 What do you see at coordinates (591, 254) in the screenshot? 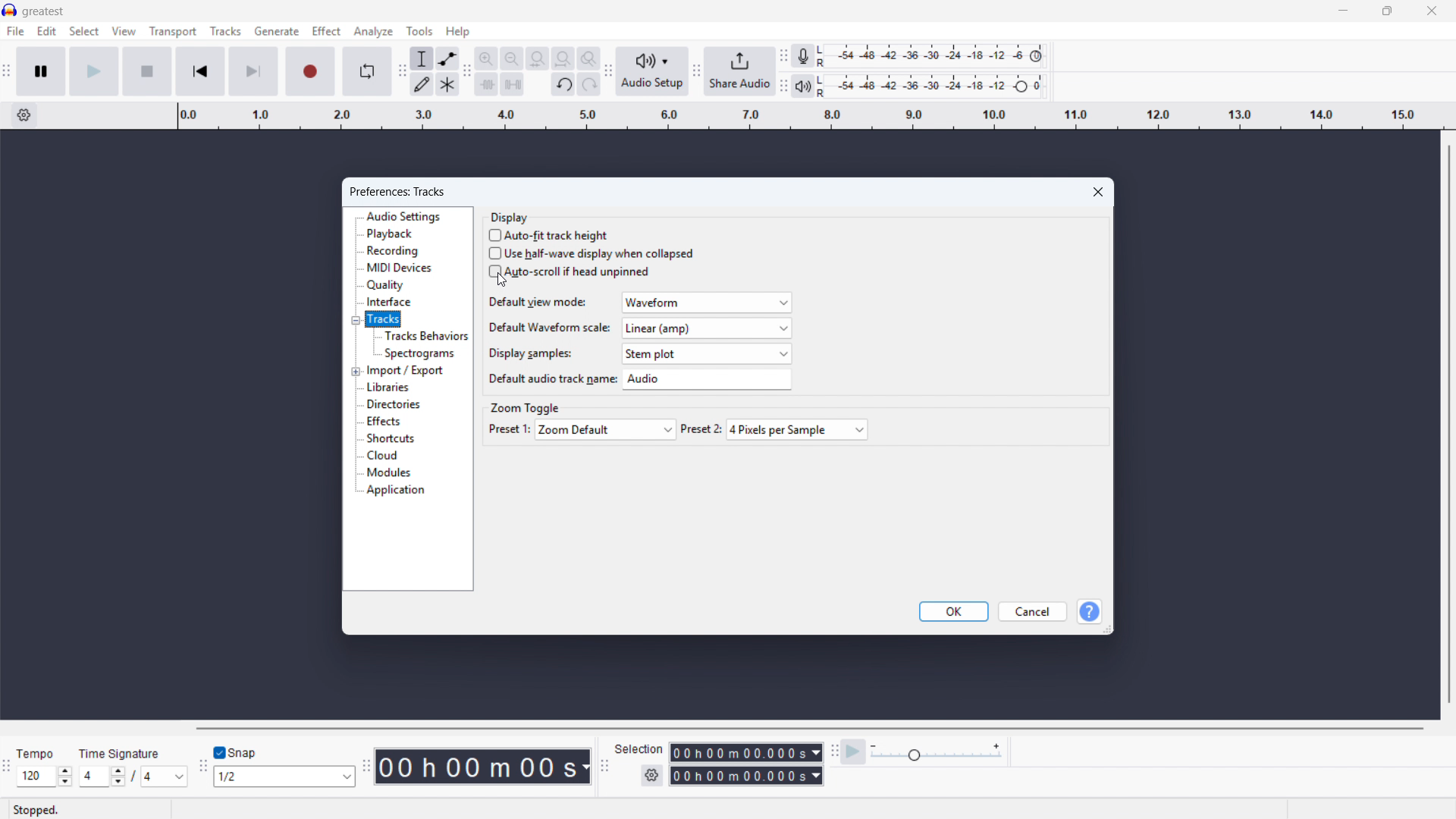
I see `Use half wave display when collapsed ` at bounding box center [591, 254].